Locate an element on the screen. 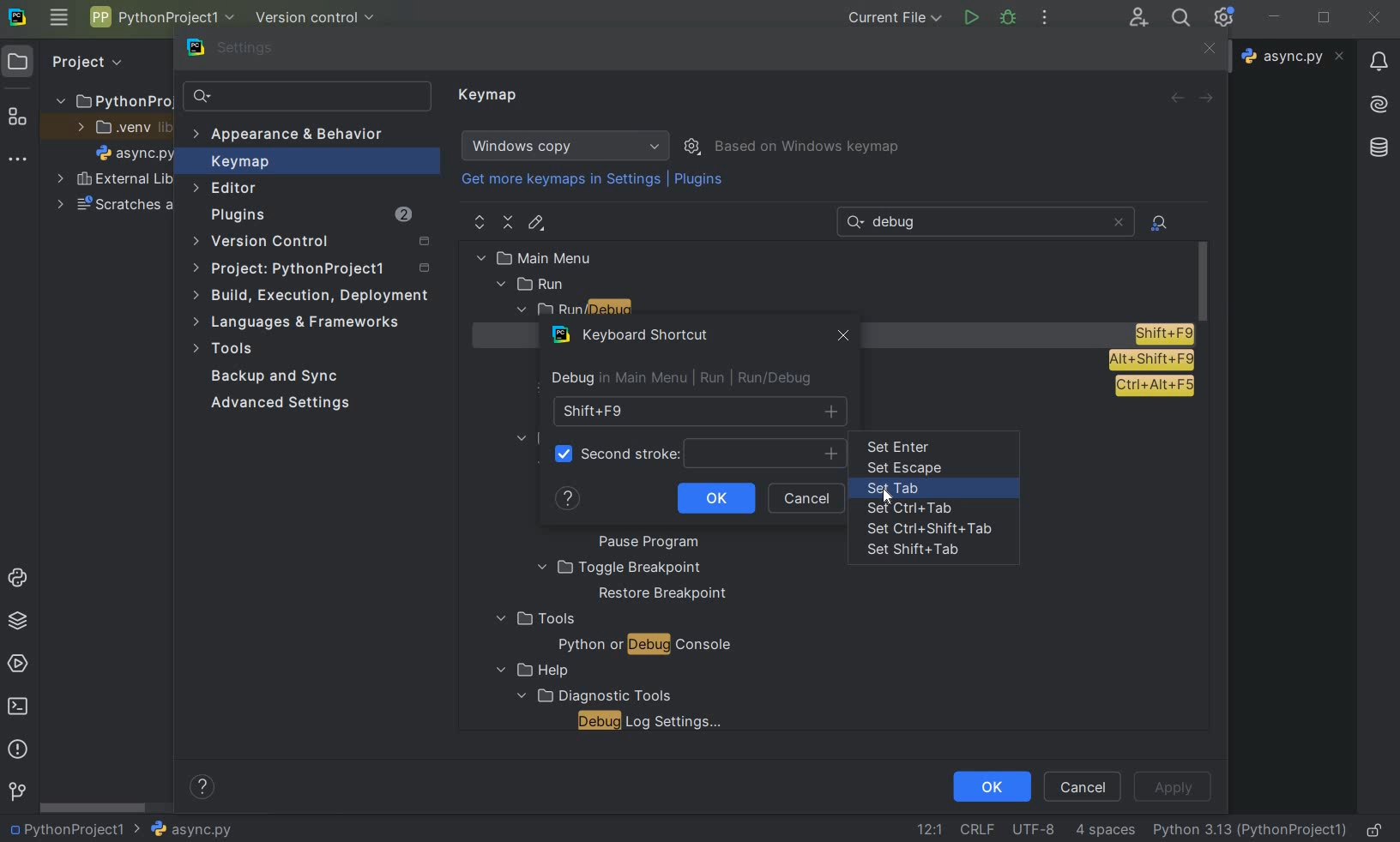  restore down is located at coordinates (1326, 20).